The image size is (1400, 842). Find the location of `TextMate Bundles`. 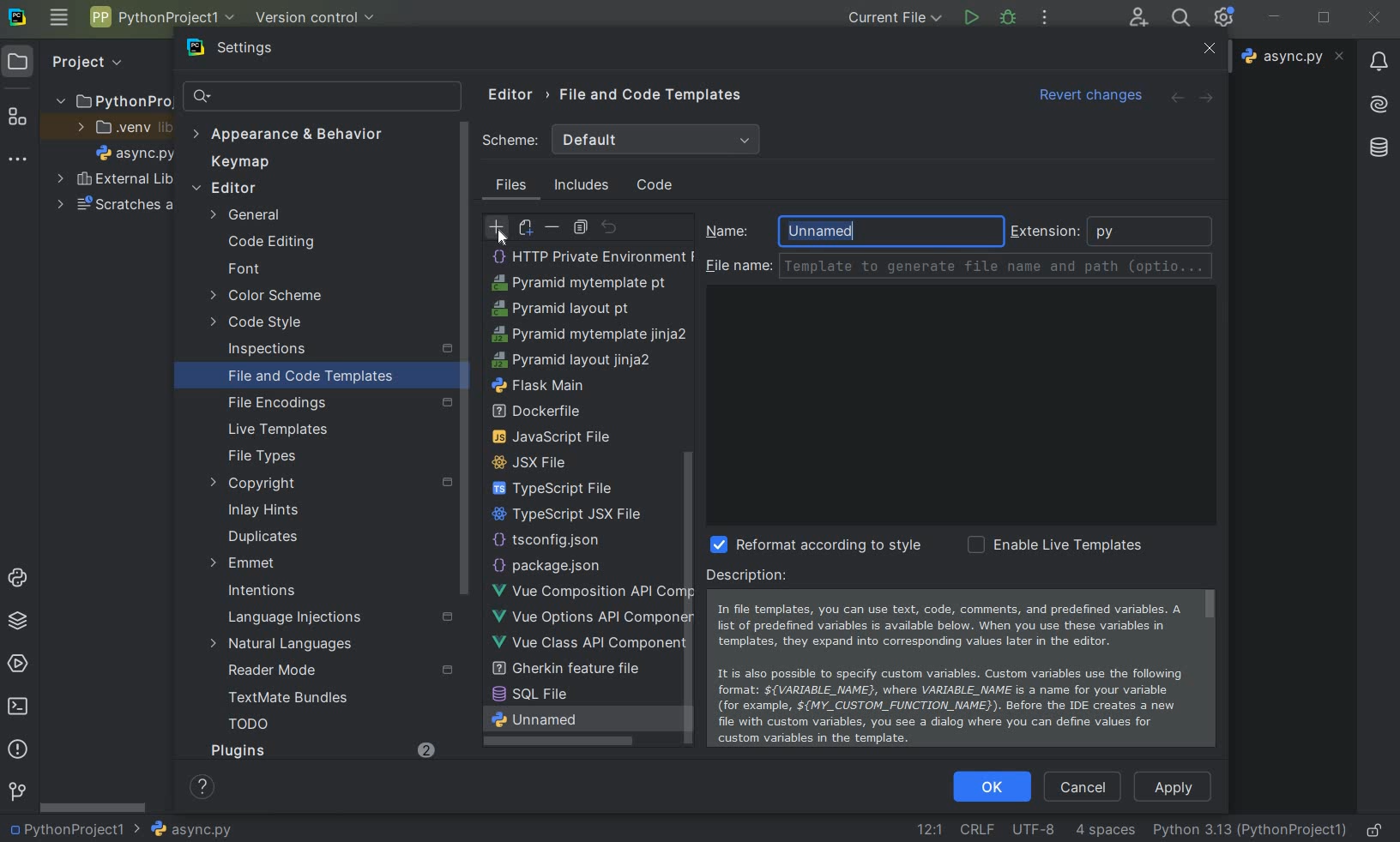

TextMate Bundles is located at coordinates (305, 698).